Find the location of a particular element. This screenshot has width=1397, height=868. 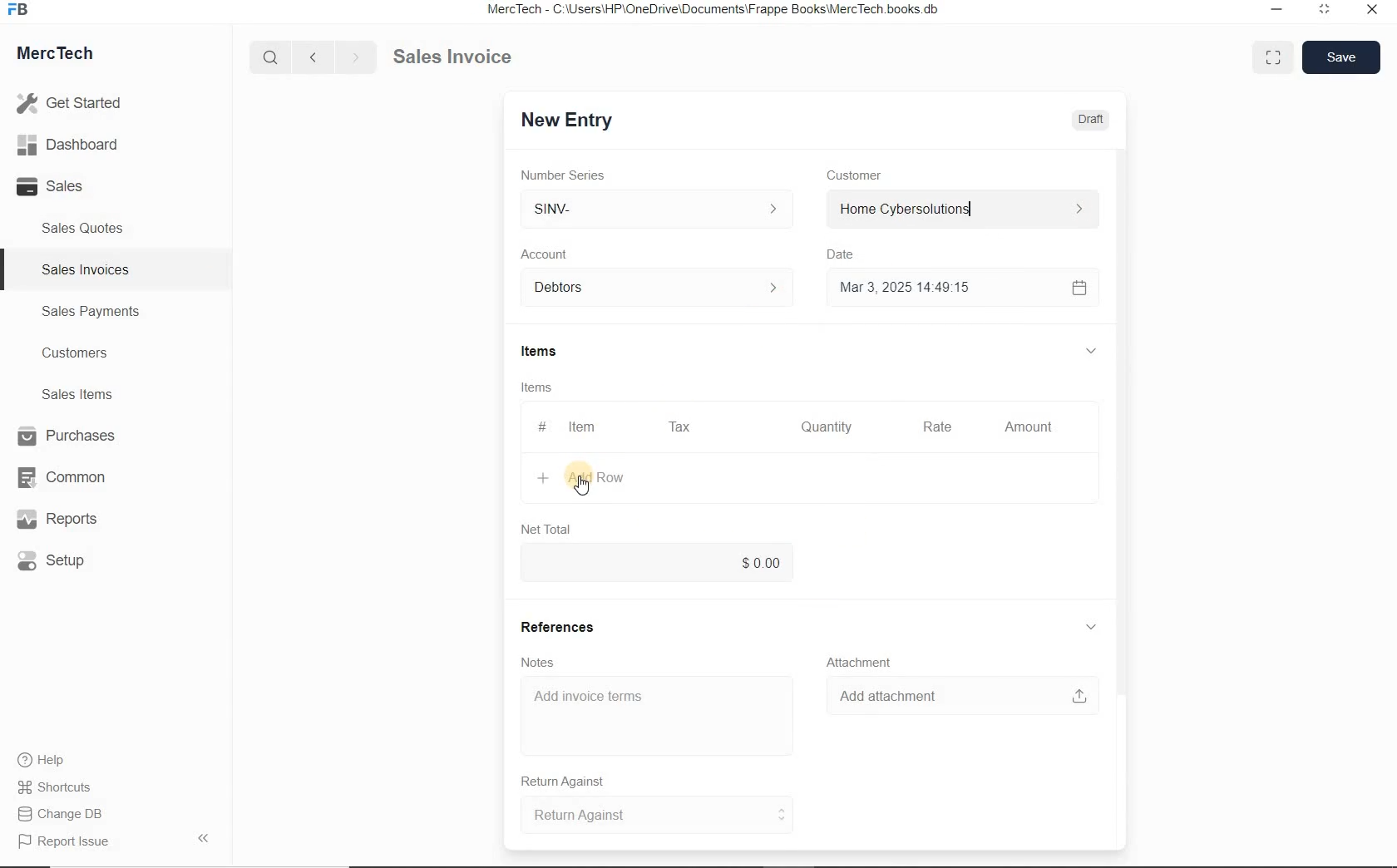

Search is located at coordinates (272, 57).